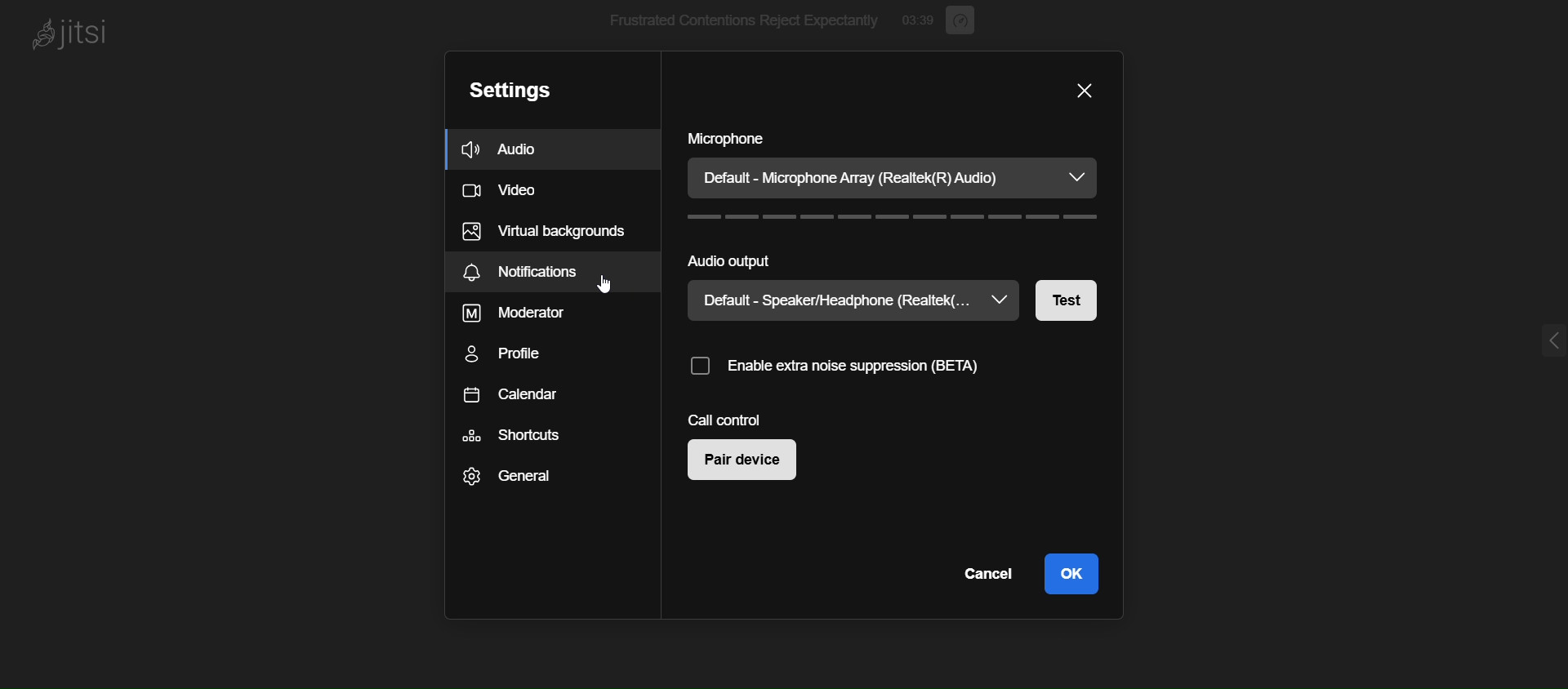  I want to click on virtual background, so click(548, 232).